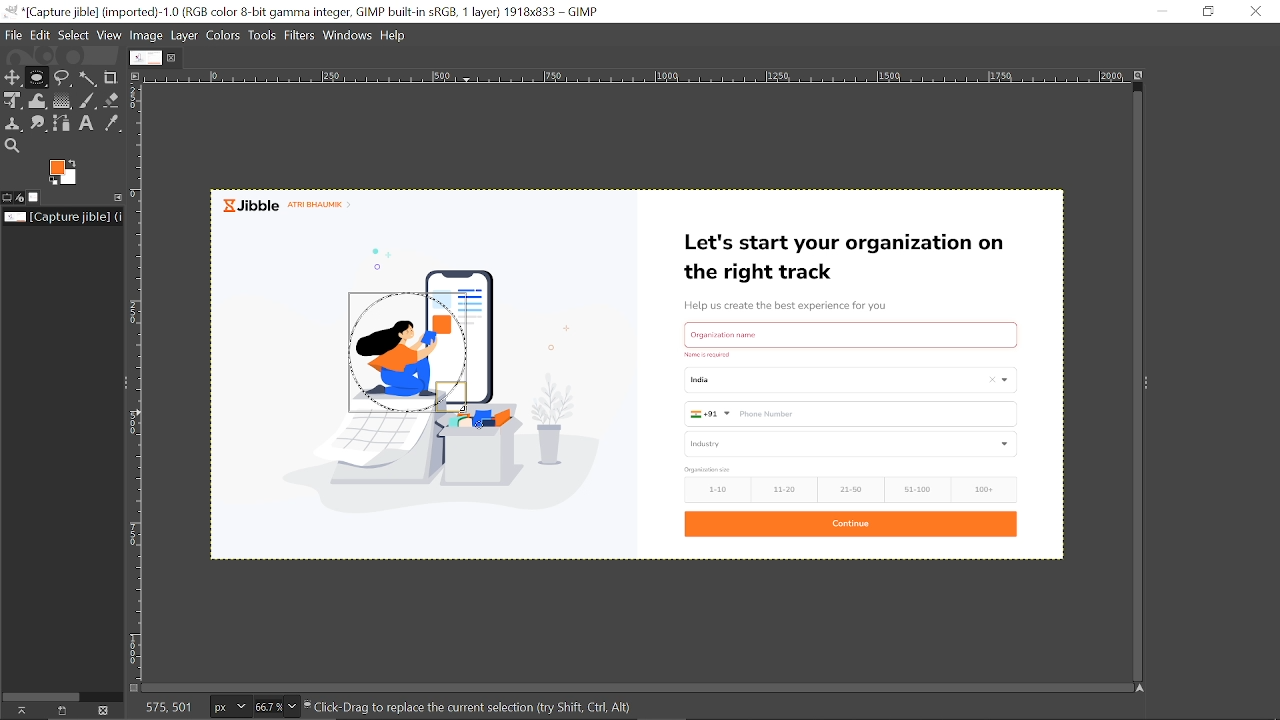  Describe the element at coordinates (224, 34) in the screenshot. I see `Colors` at that location.